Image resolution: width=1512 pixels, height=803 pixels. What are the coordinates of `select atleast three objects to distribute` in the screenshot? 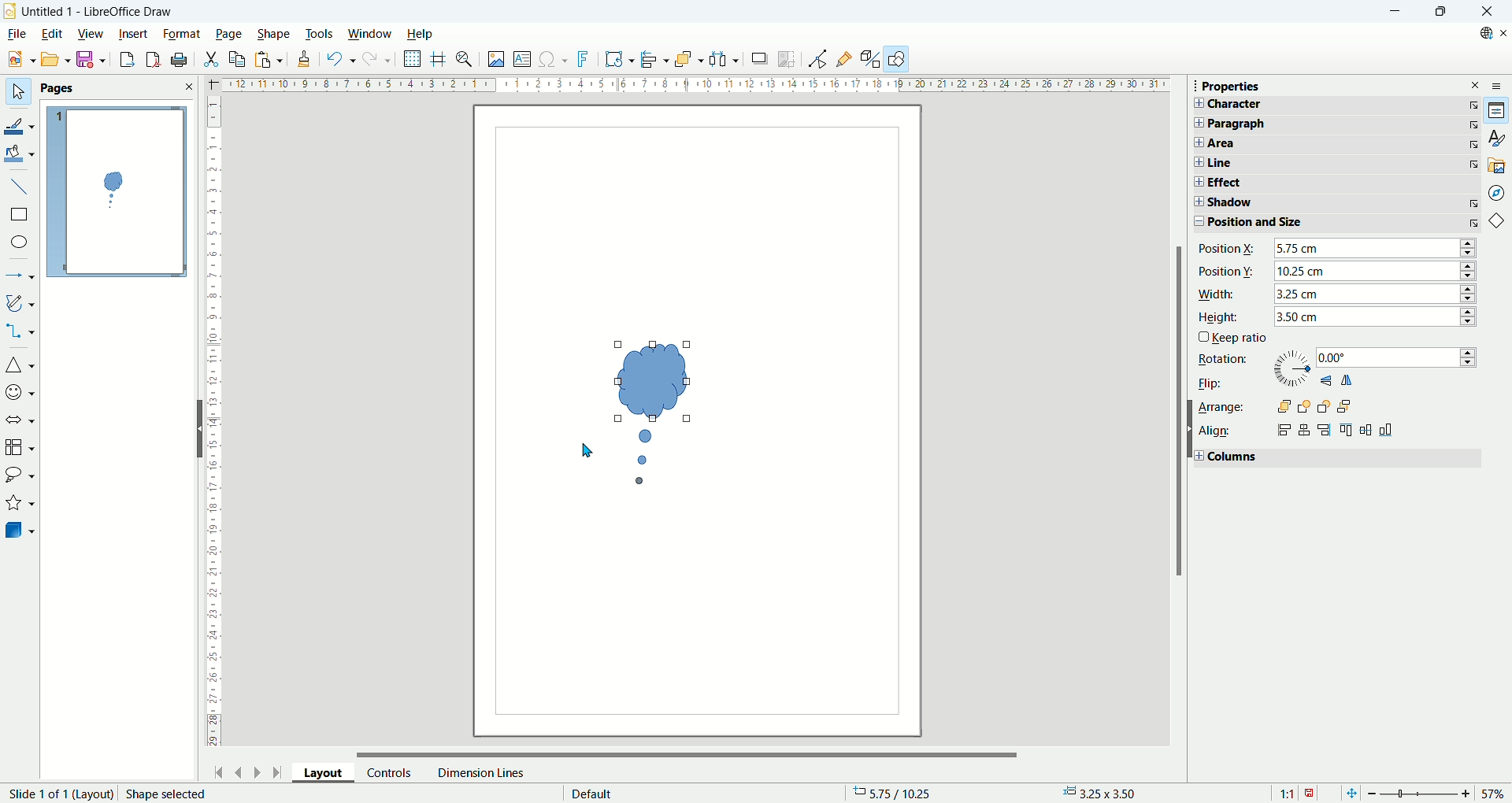 It's located at (724, 59).